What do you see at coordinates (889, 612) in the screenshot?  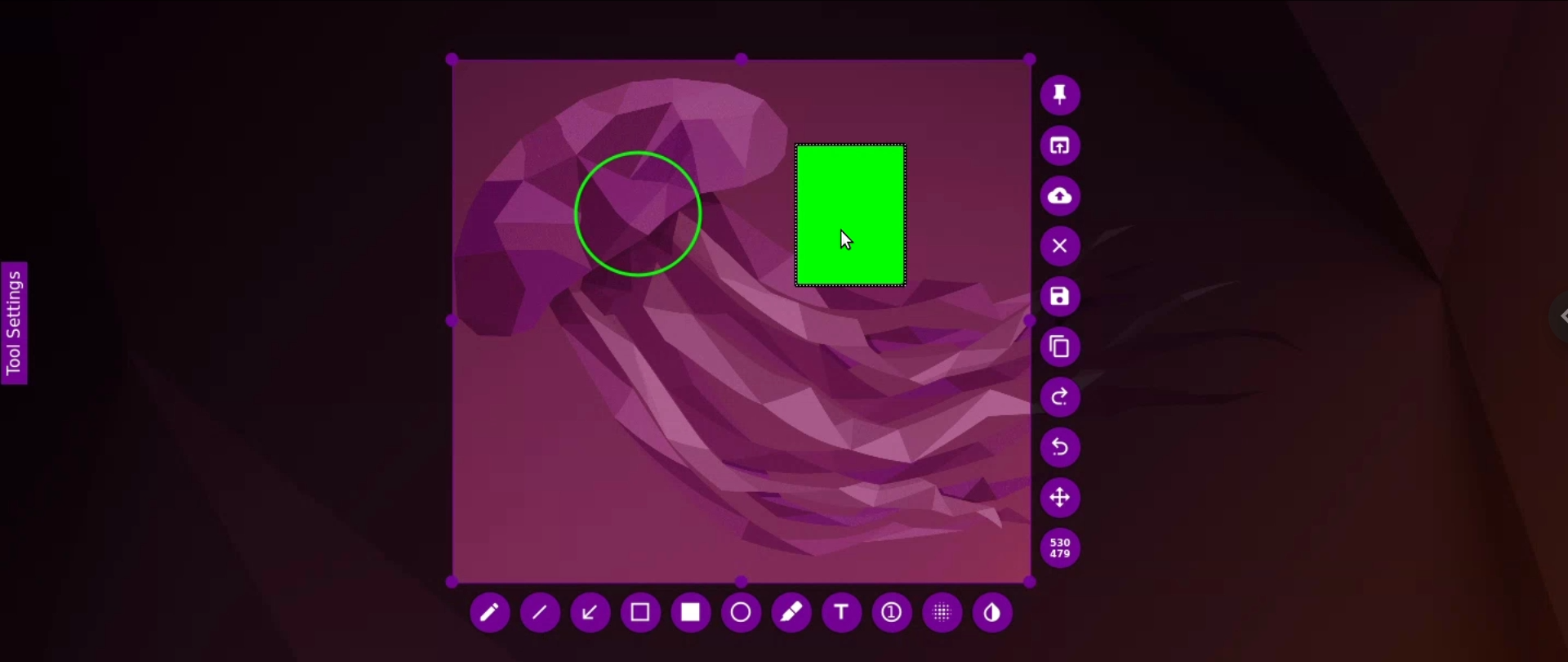 I see `auto incrementing counter bubble` at bounding box center [889, 612].